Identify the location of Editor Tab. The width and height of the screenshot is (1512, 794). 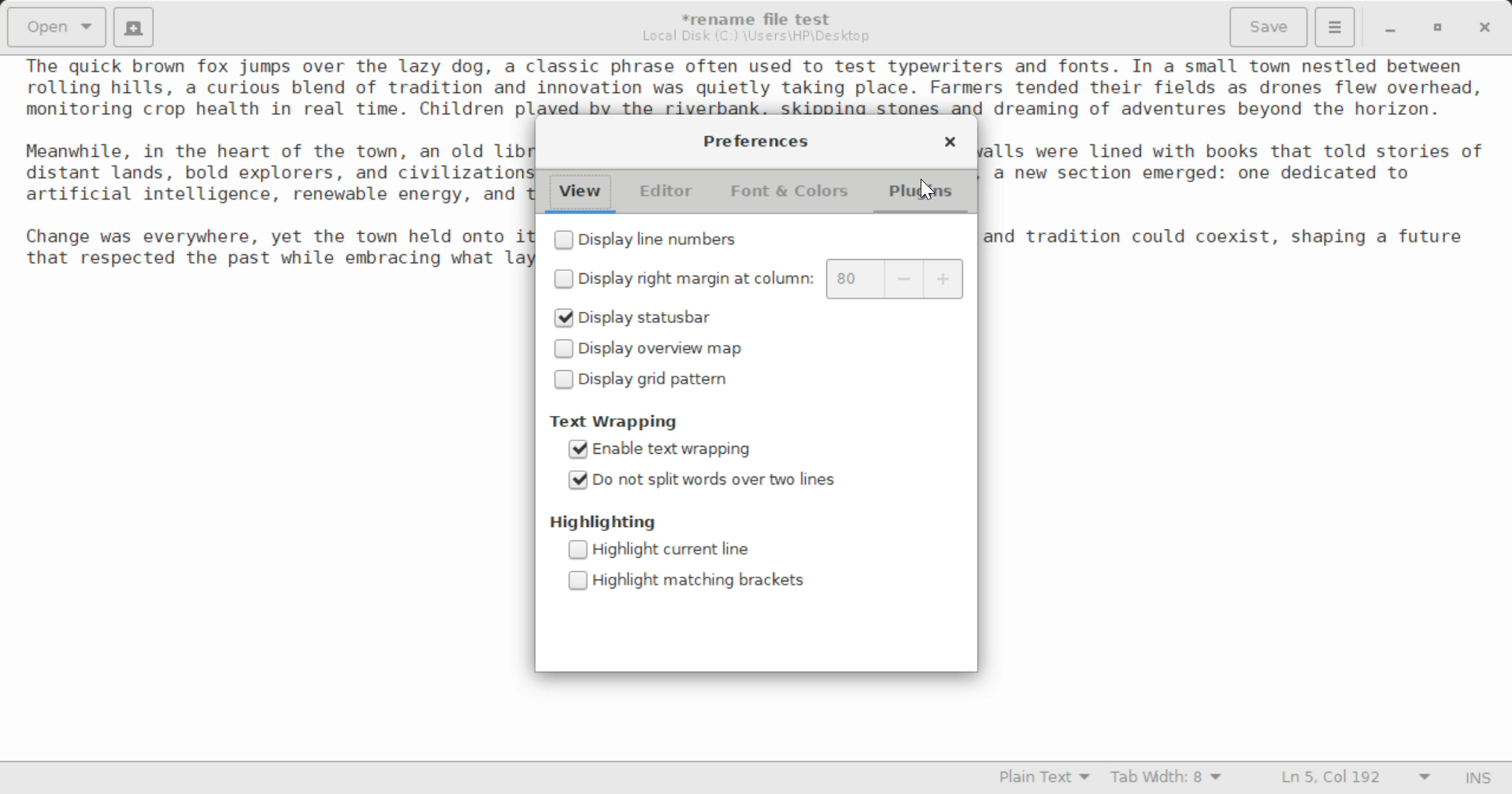
(669, 195).